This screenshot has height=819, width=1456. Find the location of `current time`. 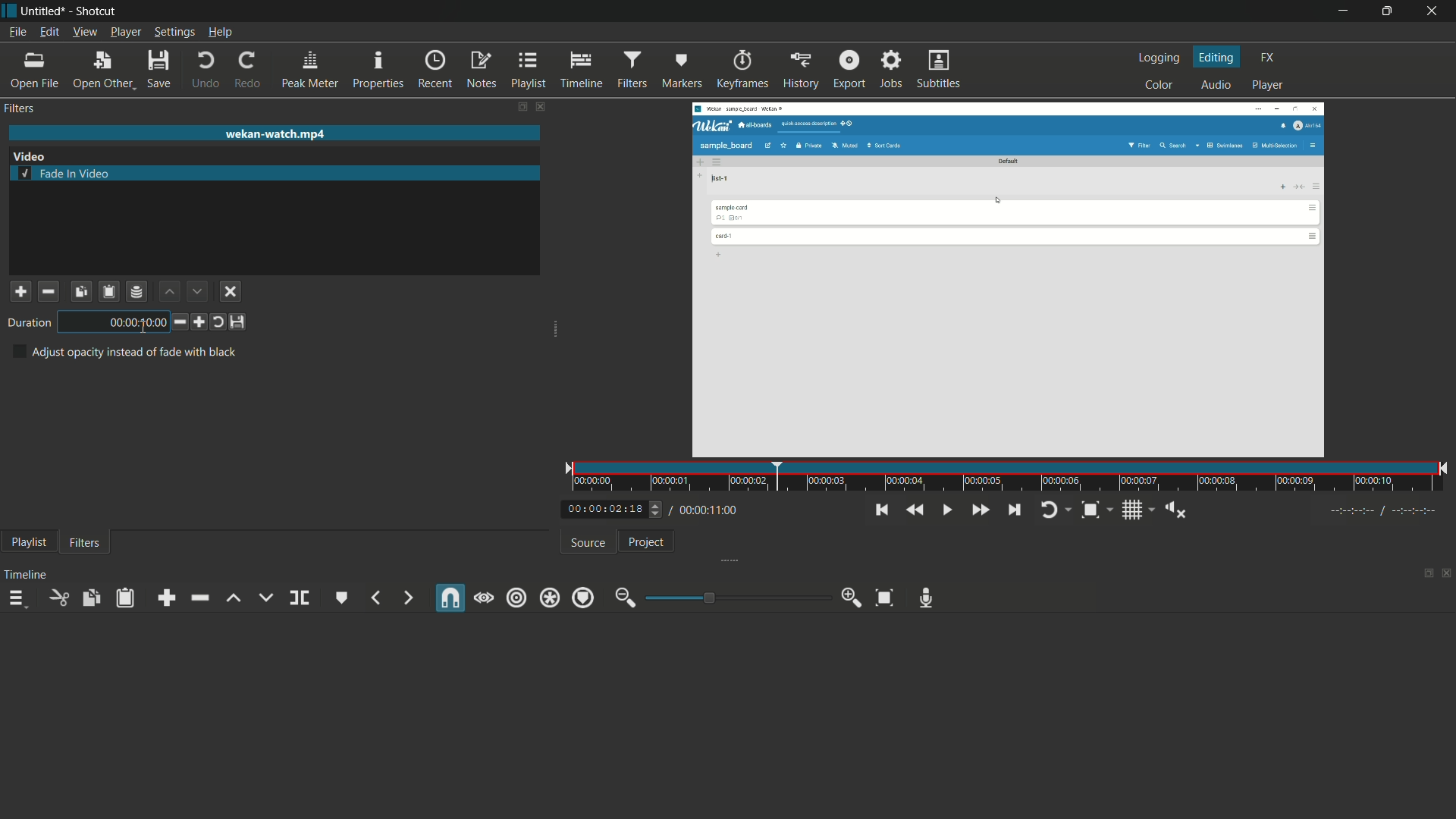

current time is located at coordinates (599, 510).